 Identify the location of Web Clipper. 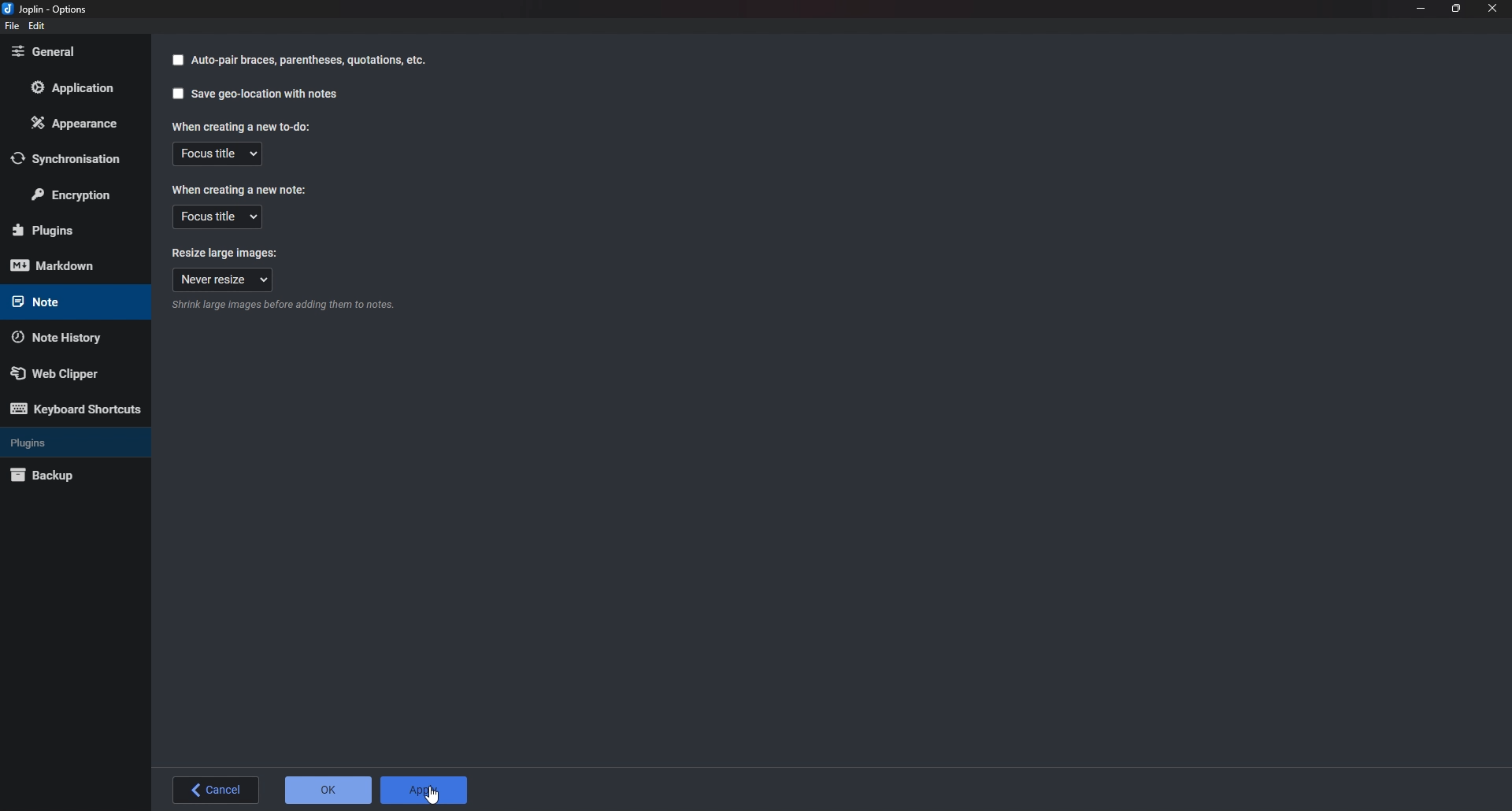
(73, 371).